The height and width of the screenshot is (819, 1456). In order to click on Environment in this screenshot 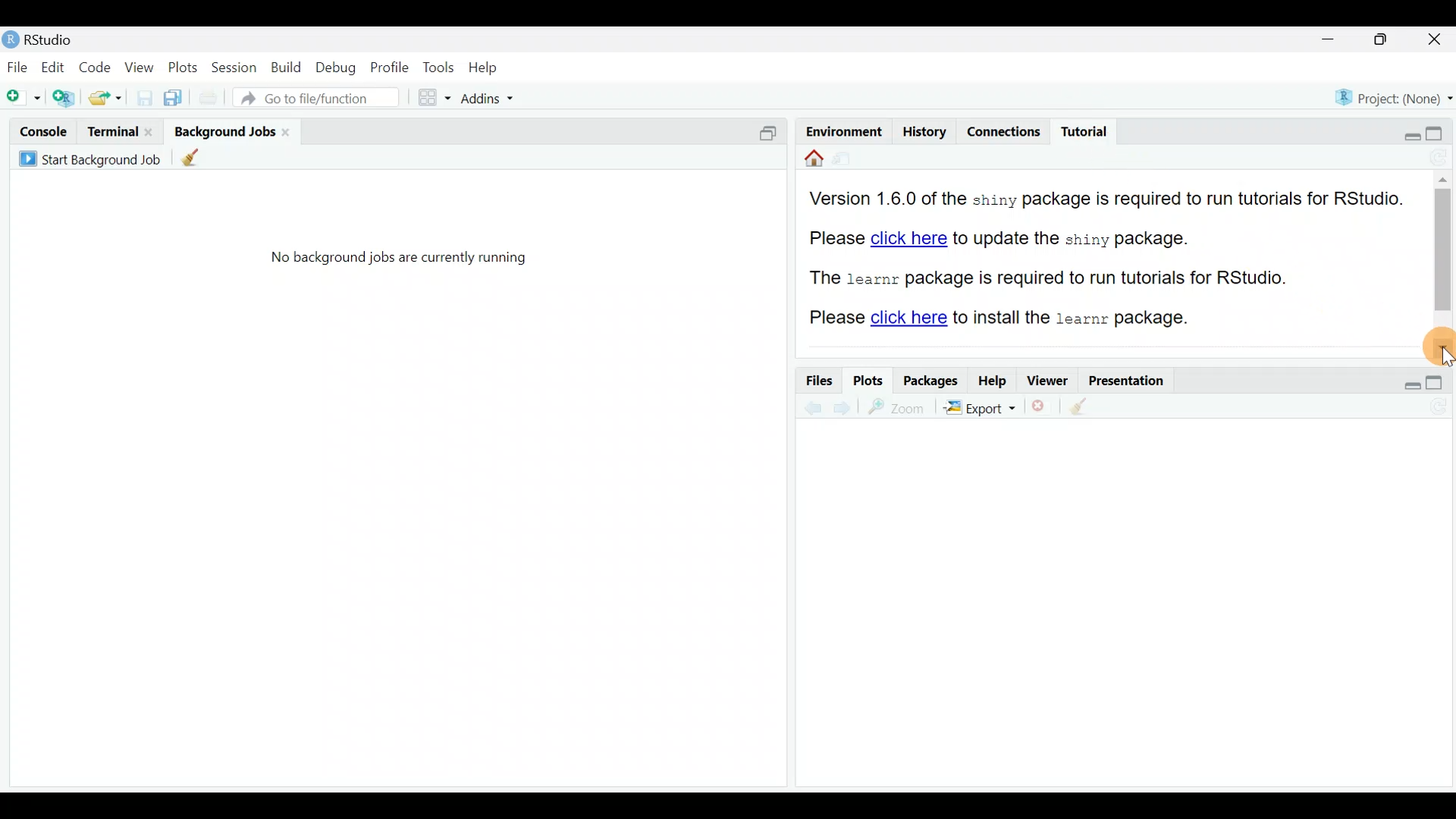, I will do `click(841, 128)`.